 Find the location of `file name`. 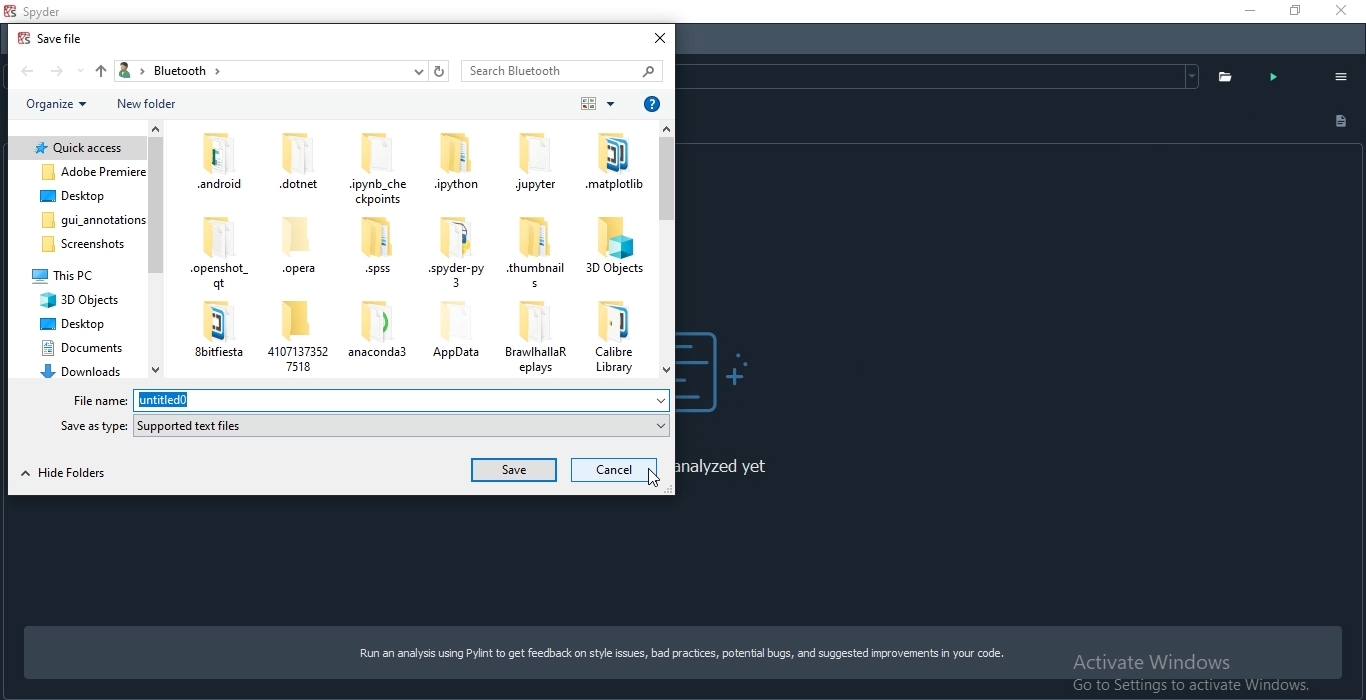

file name is located at coordinates (368, 399).